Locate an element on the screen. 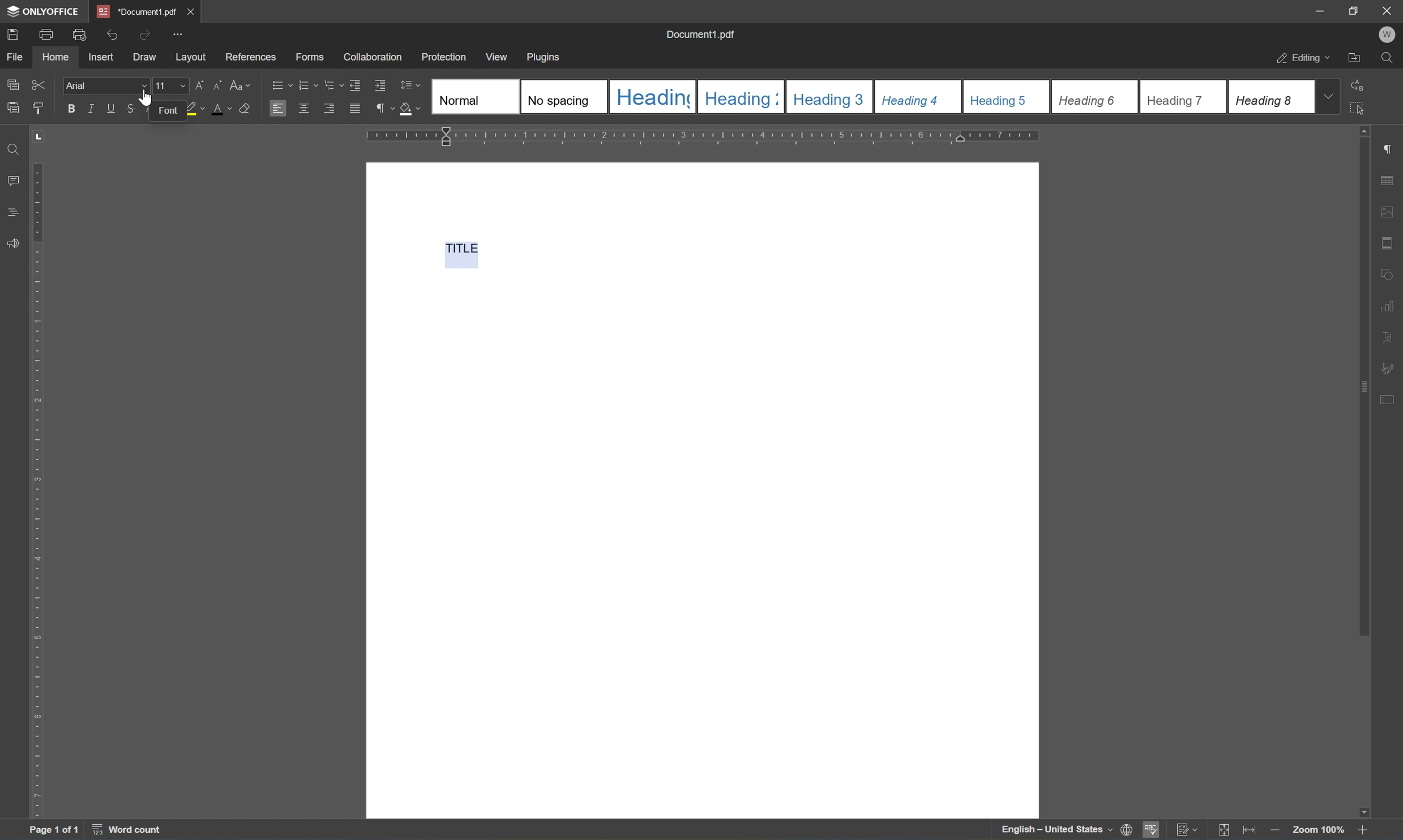 The width and height of the screenshot is (1403, 840). form settings is located at coordinates (1390, 405).